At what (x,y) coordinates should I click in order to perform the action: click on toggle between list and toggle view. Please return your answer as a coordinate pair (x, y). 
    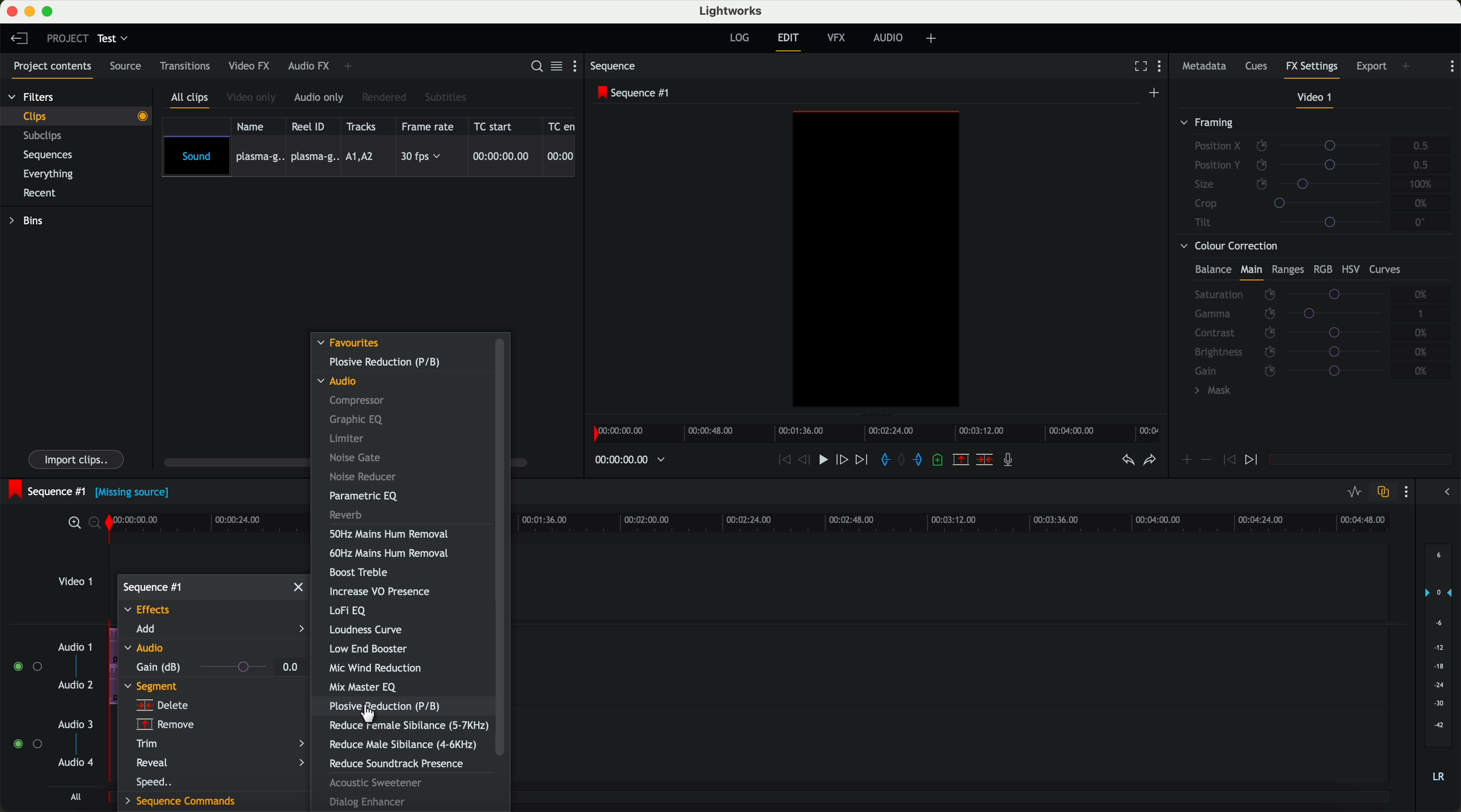
    Looking at the image, I should click on (558, 67).